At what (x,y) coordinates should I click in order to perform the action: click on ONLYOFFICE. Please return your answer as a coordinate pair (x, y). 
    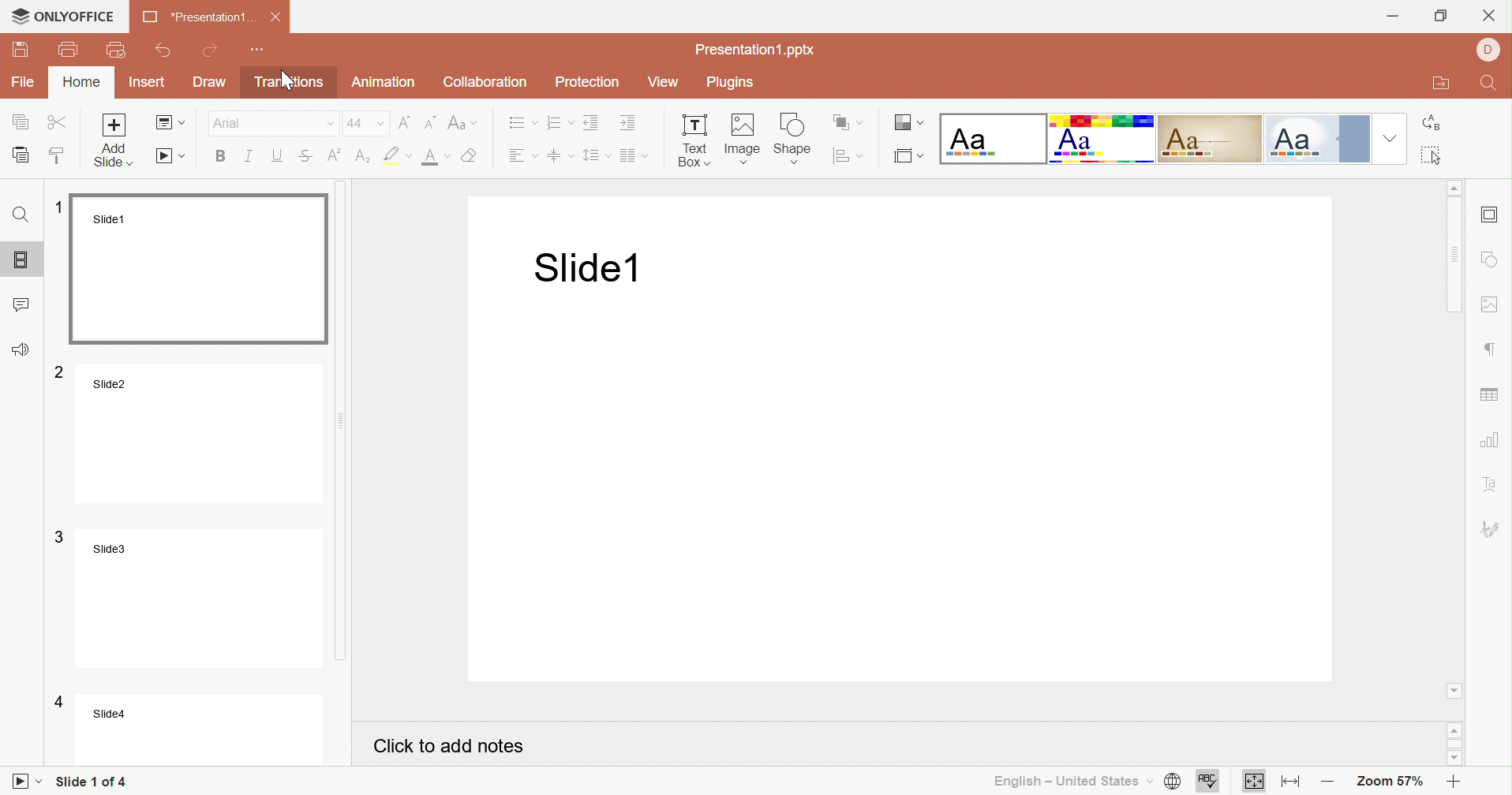
    Looking at the image, I should click on (62, 16).